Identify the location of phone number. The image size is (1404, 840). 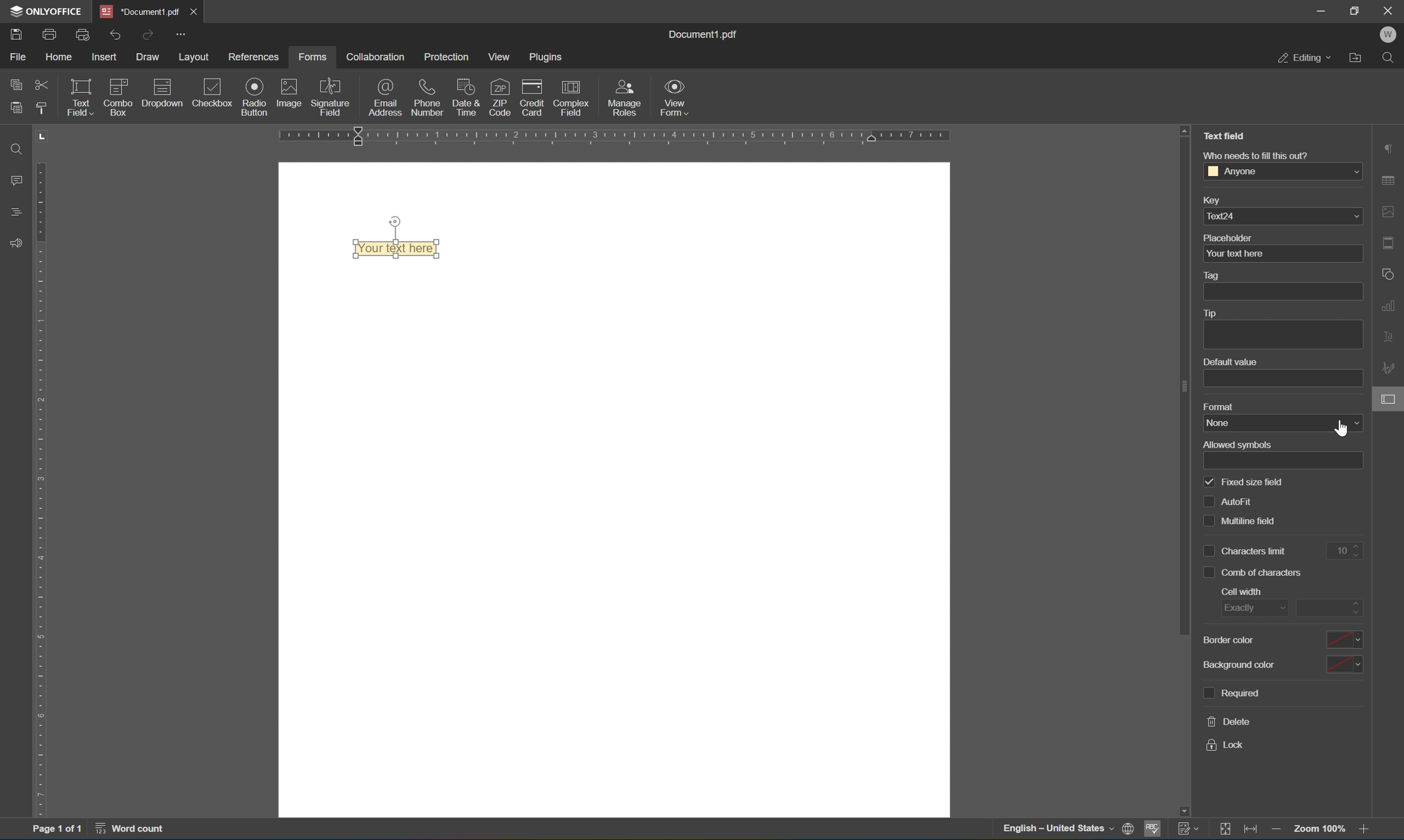
(427, 96).